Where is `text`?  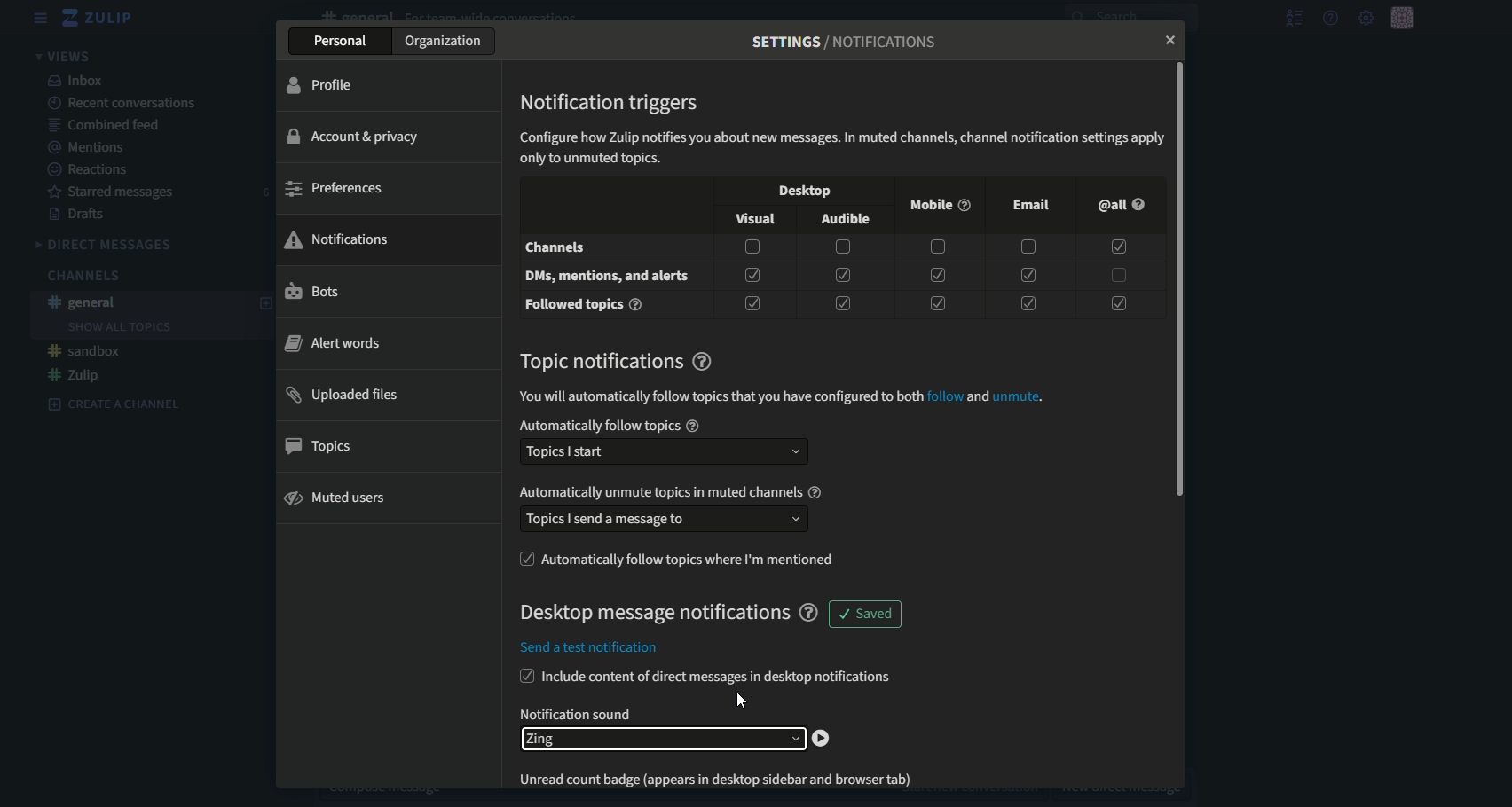 text is located at coordinates (611, 102).